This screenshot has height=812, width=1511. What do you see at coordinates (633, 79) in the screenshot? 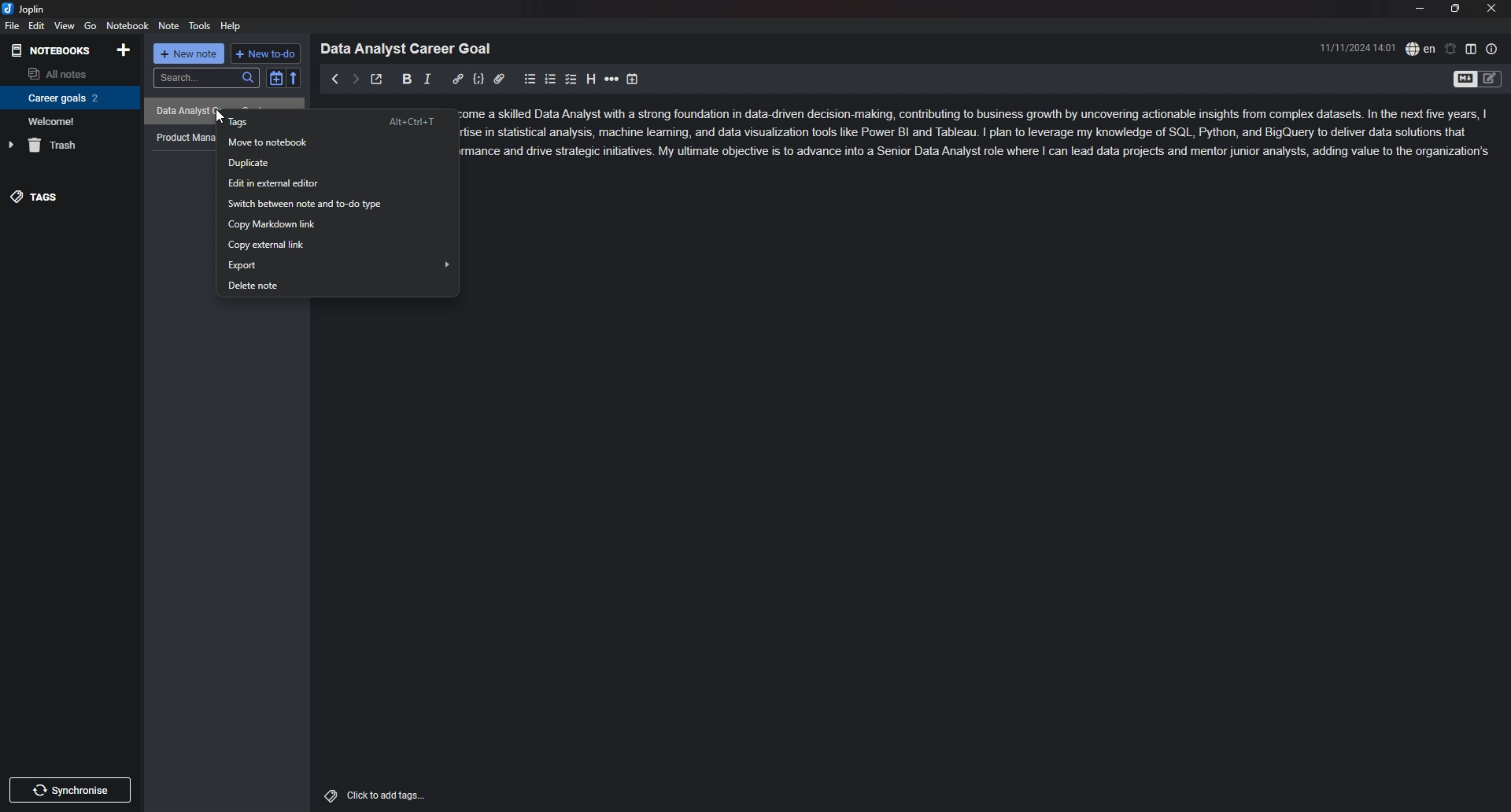
I see `add time` at bounding box center [633, 79].